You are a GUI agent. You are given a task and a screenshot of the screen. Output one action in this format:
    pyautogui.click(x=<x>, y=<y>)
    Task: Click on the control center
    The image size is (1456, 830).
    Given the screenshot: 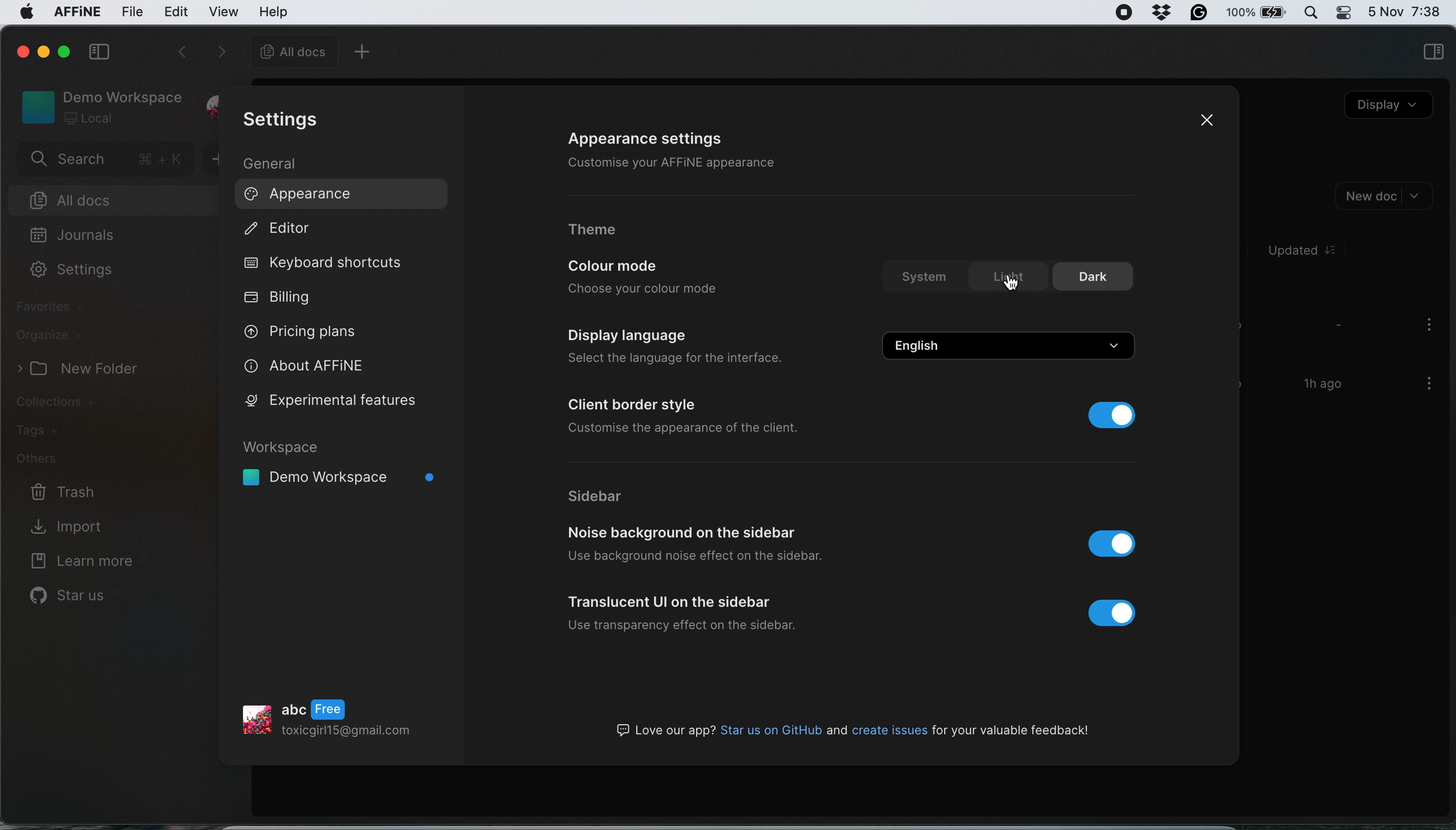 What is the action you would take?
    pyautogui.click(x=1343, y=13)
    